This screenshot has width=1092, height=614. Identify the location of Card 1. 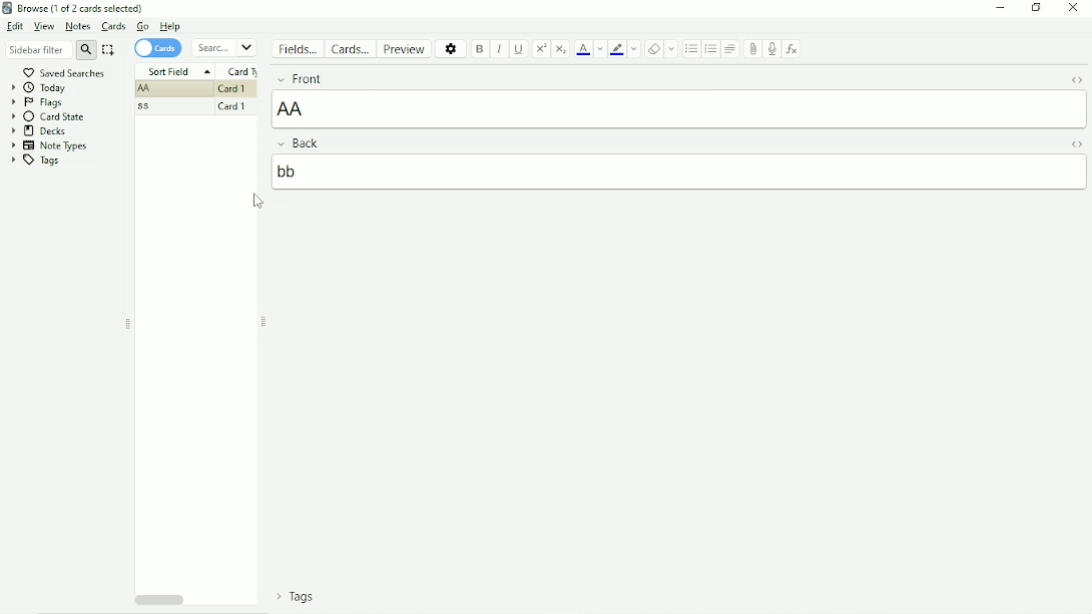
(233, 89).